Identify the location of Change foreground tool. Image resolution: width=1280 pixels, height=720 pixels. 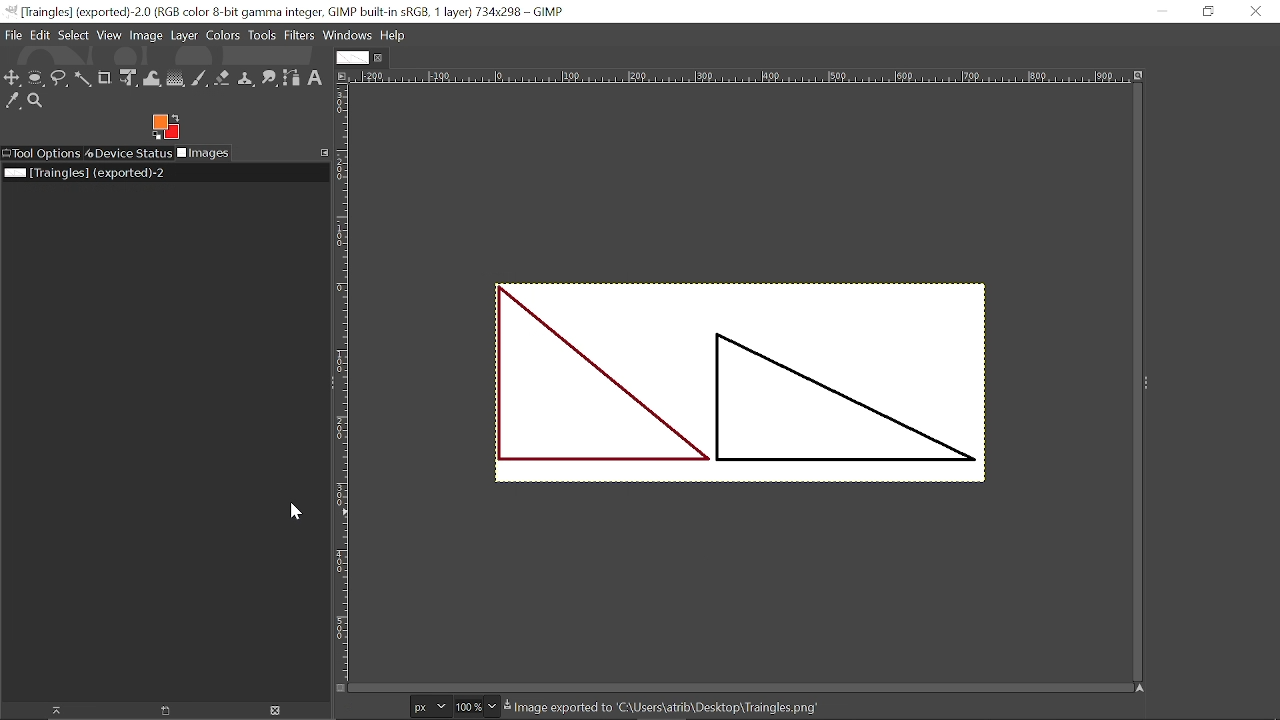
(169, 126).